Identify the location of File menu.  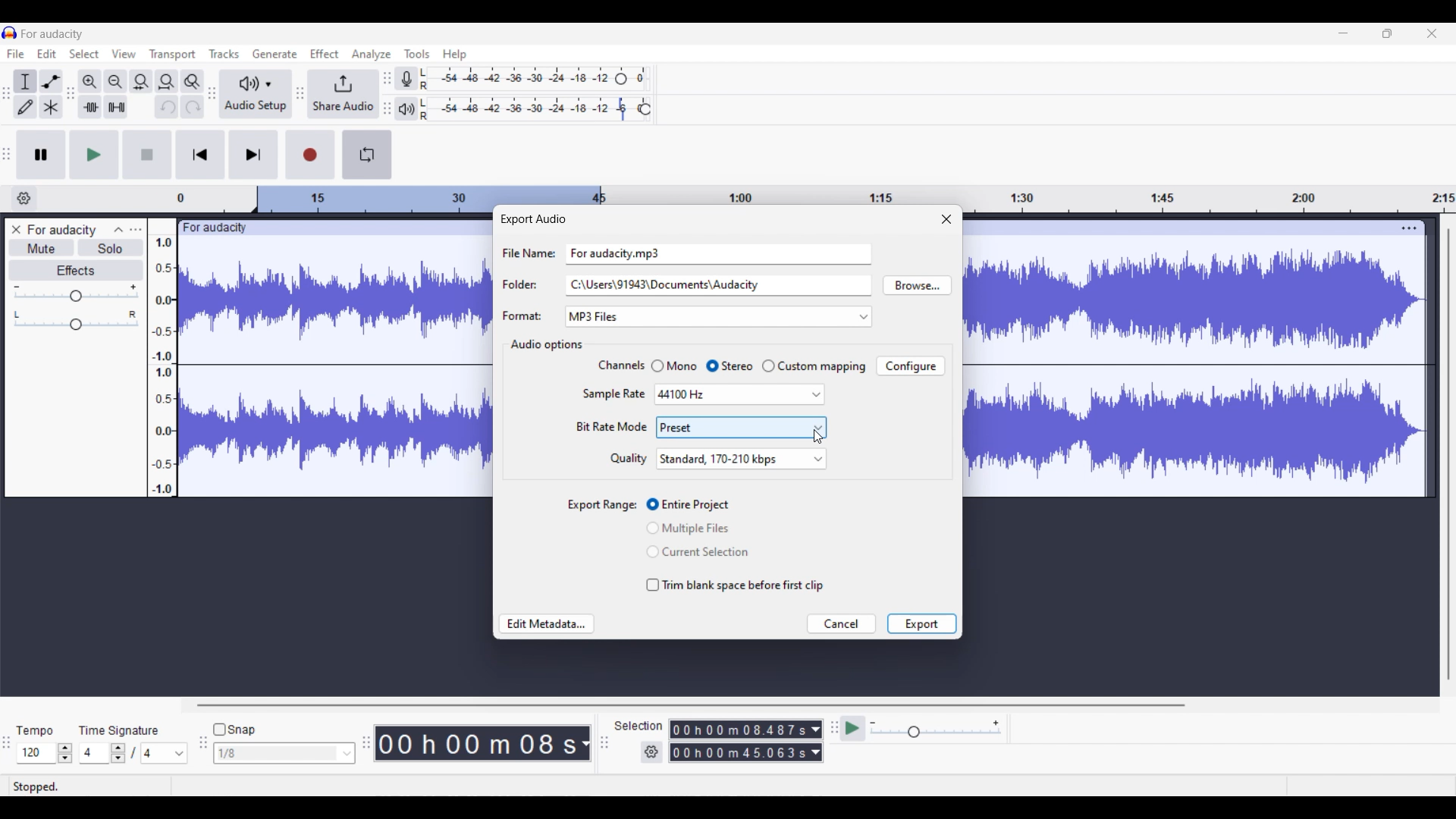
(16, 53).